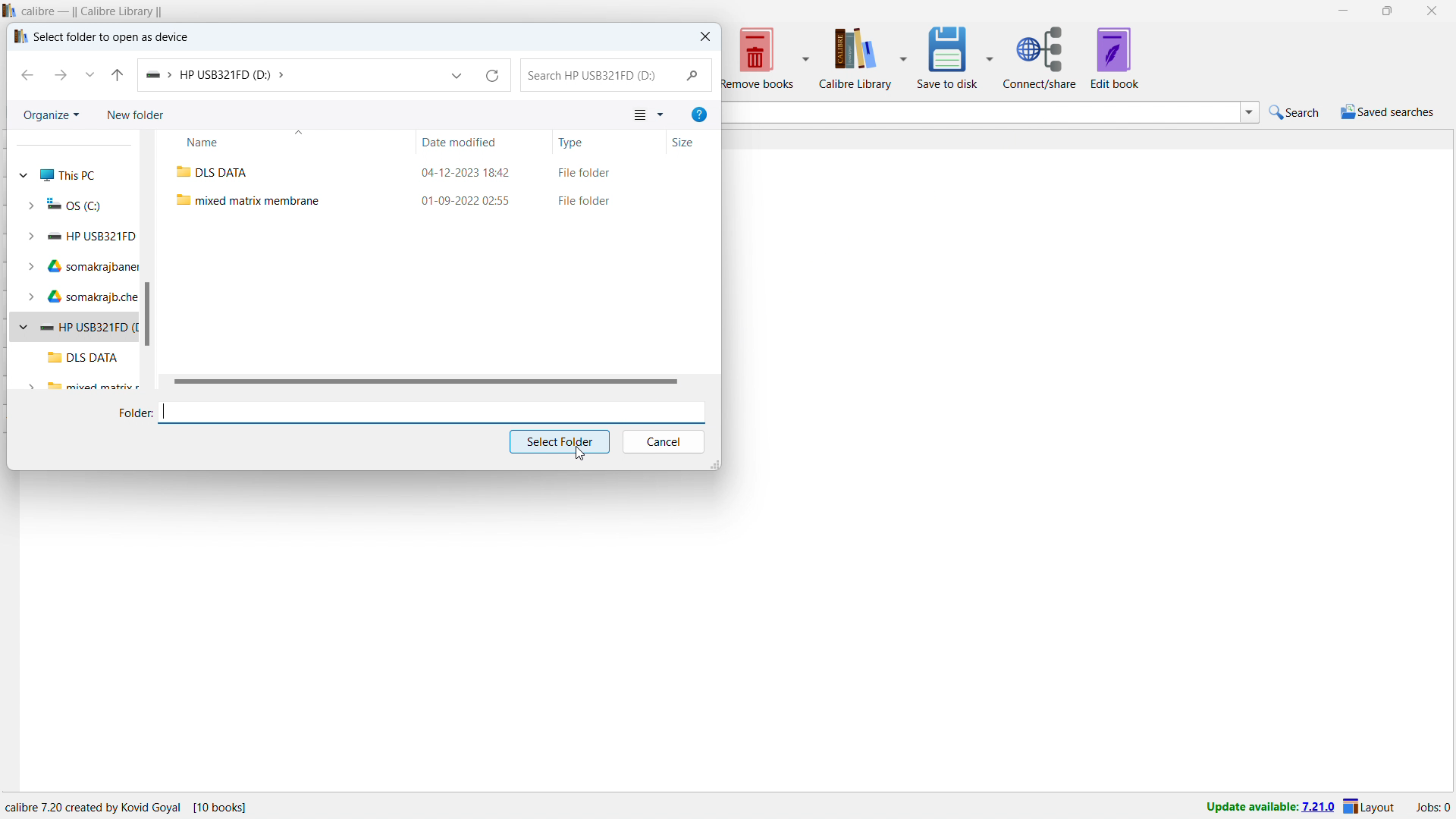 The width and height of the screenshot is (1456, 819). Describe the element at coordinates (991, 59) in the screenshot. I see `save to disk options` at that location.